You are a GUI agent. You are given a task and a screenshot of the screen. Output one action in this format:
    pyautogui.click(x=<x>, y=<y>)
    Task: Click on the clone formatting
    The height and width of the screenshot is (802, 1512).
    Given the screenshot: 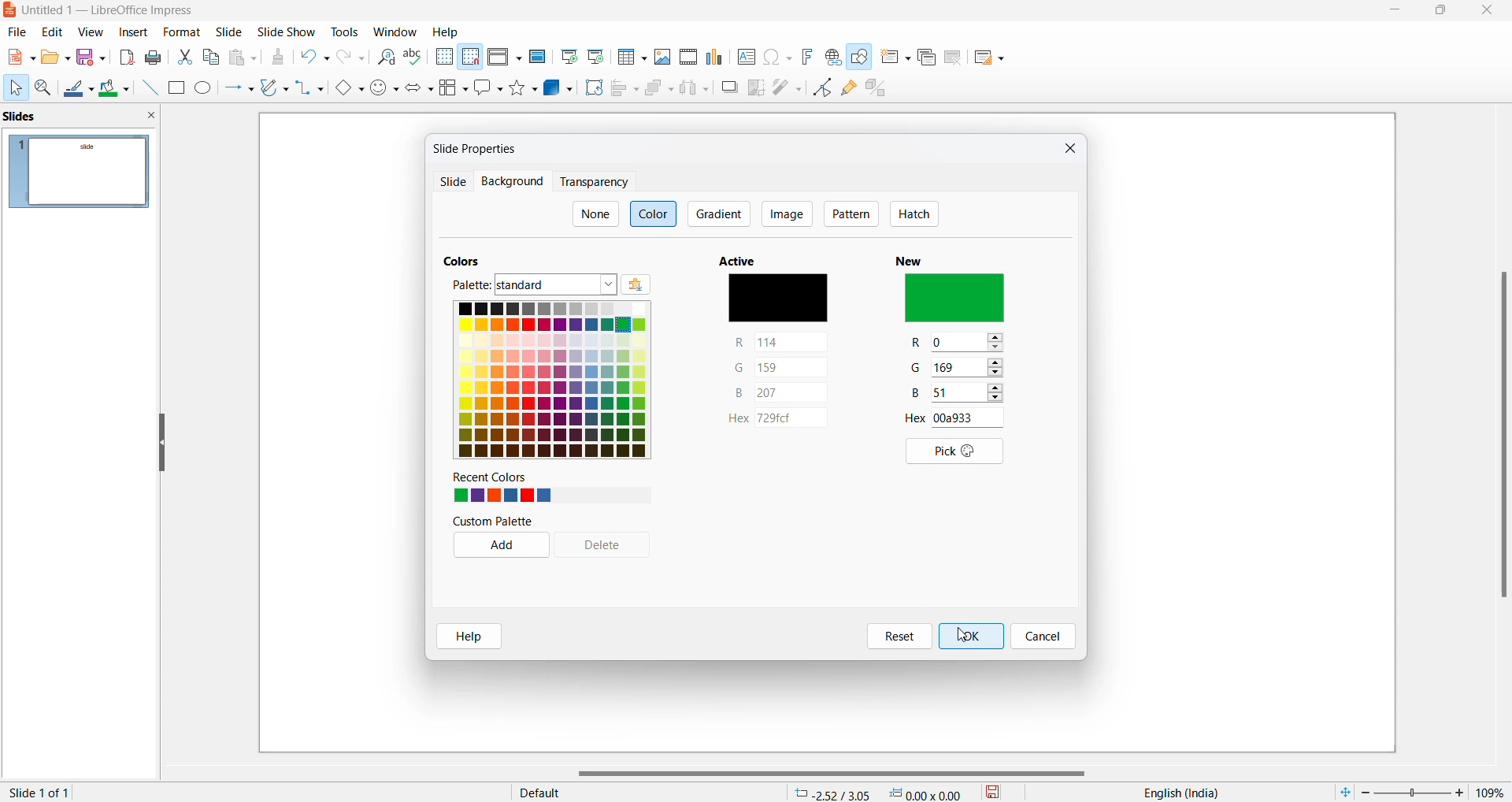 What is the action you would take?
    pyautogui.click(x=277, y=59)
    